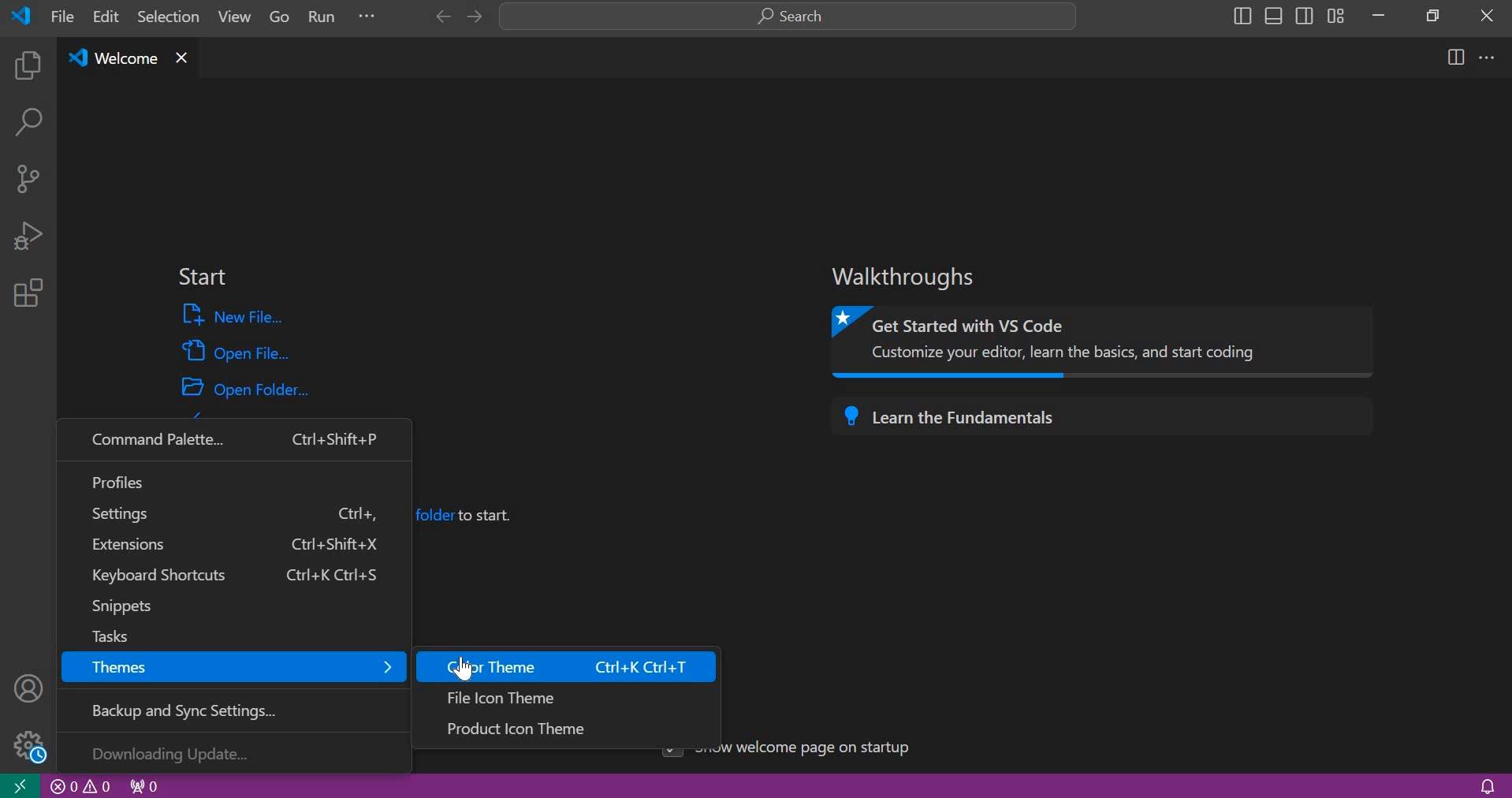 The height and width of the screenshot is (798, 1512). Describe the element at coordinates (324, 19) in the screenshot. I see `run` at that location.